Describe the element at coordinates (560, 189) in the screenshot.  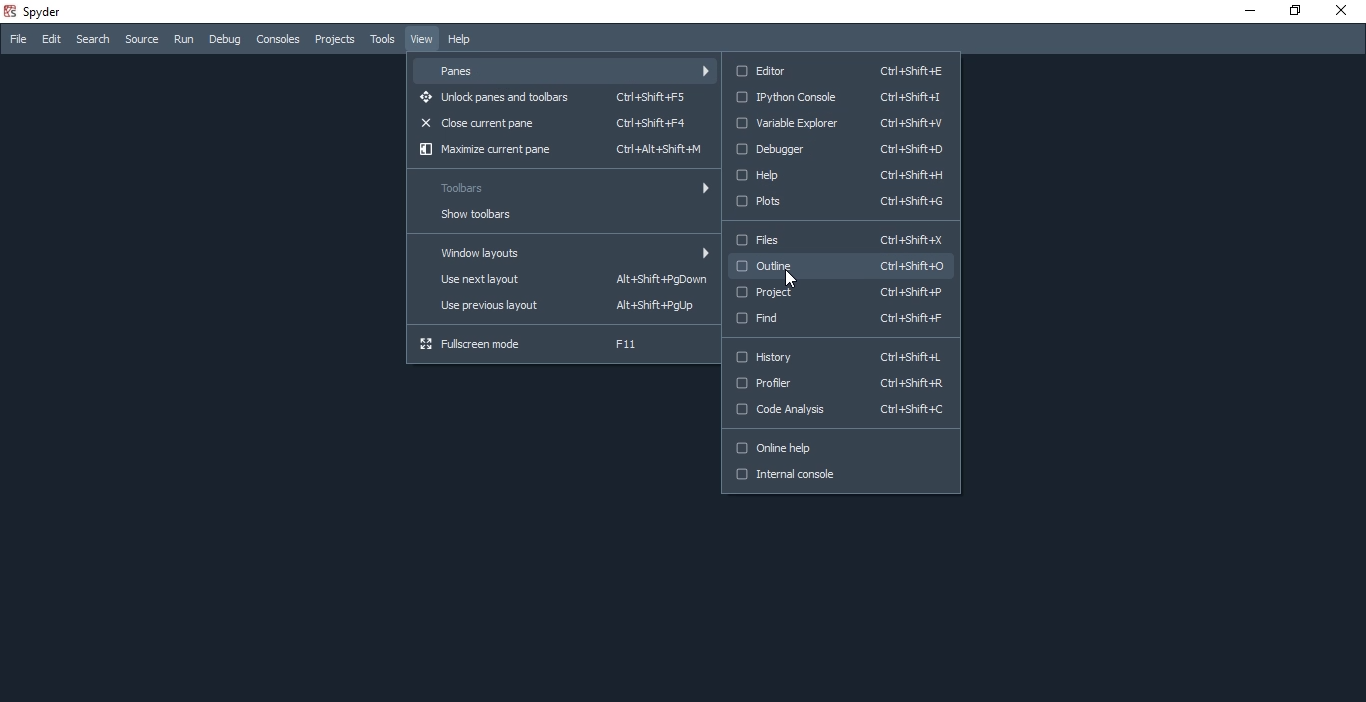
I see `Toolbars` at that location.